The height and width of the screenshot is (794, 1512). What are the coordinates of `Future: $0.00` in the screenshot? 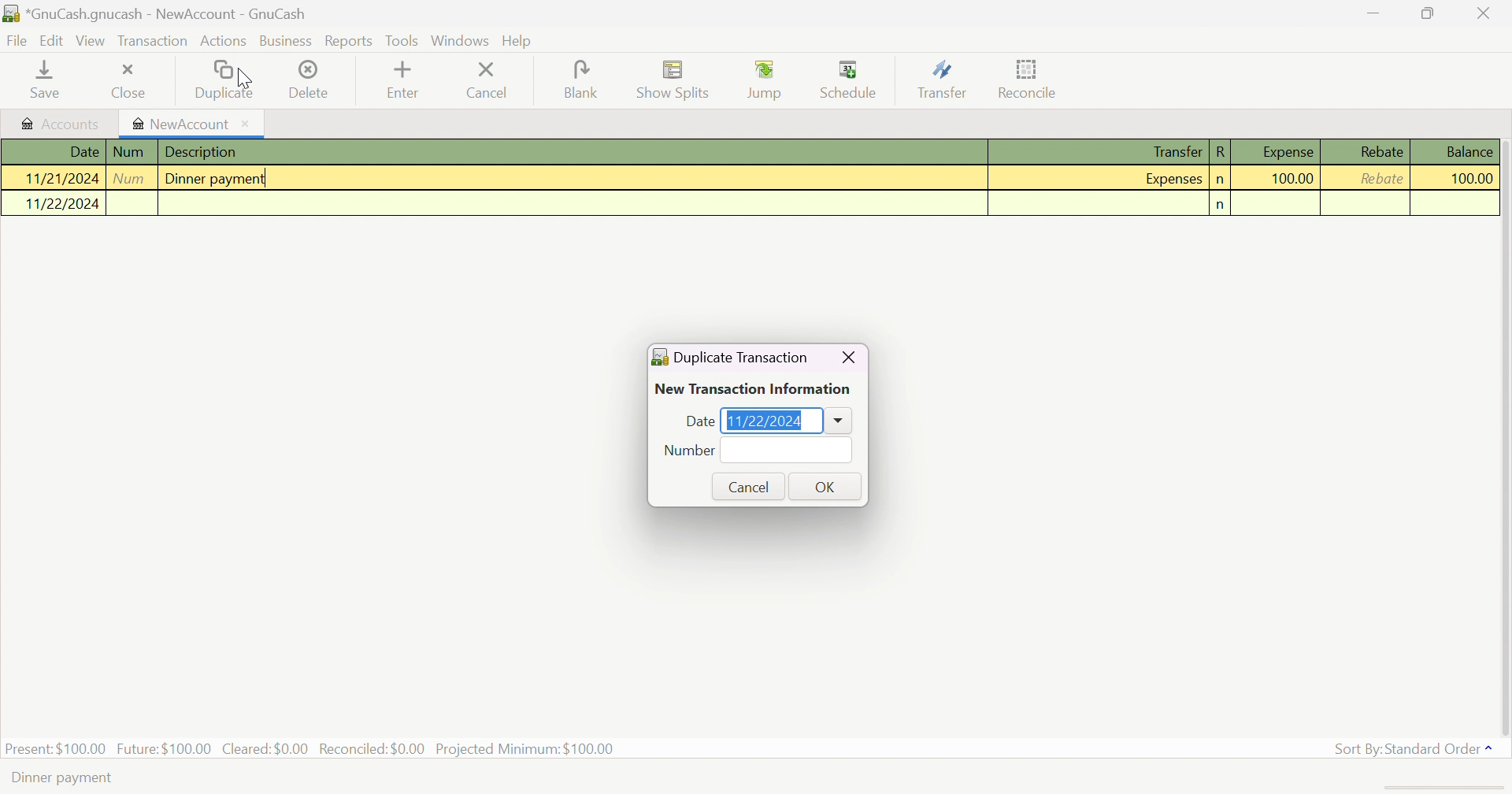 It's located at (166, 747).